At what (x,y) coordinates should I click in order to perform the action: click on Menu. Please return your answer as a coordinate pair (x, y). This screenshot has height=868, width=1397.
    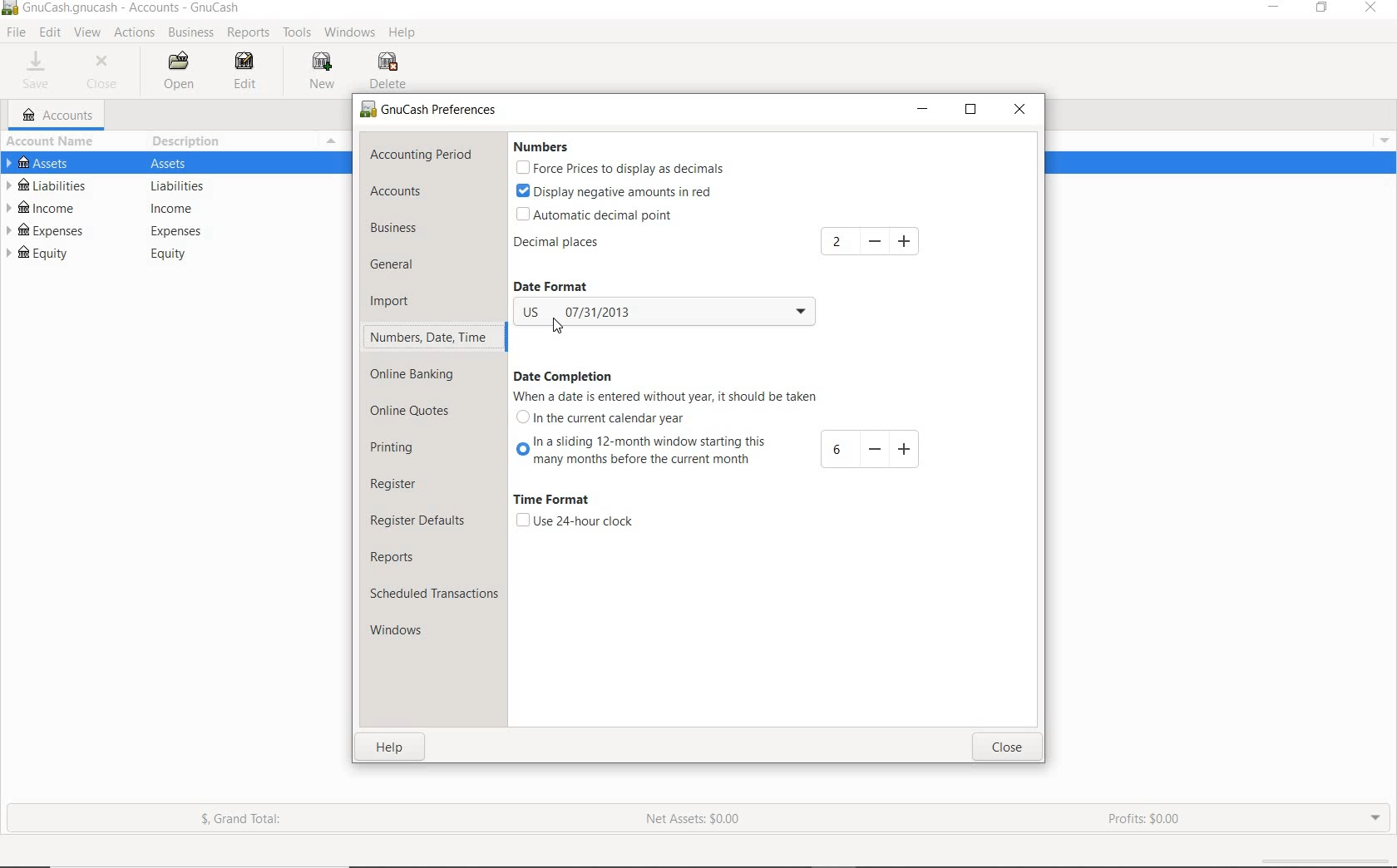
    Looking at the image, I should click on (329, 141).